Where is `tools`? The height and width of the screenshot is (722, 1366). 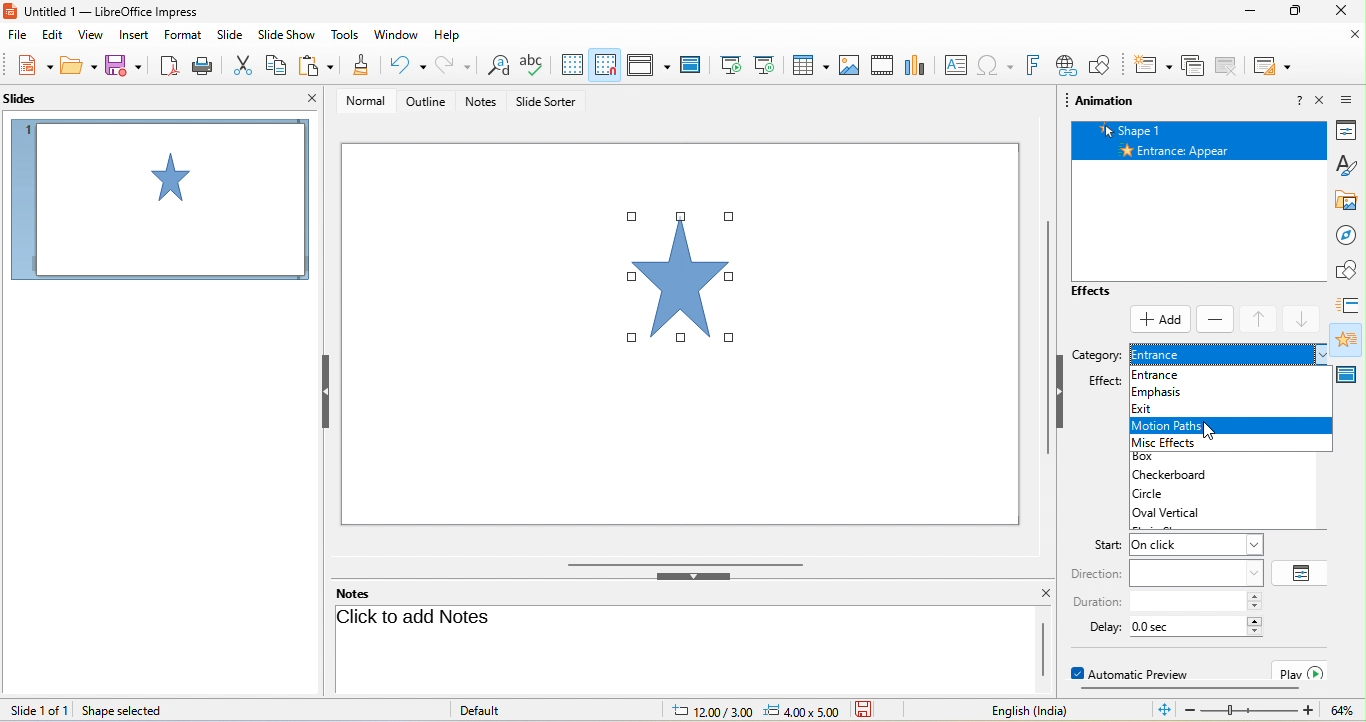 tools is located at coordinates (344, 36).